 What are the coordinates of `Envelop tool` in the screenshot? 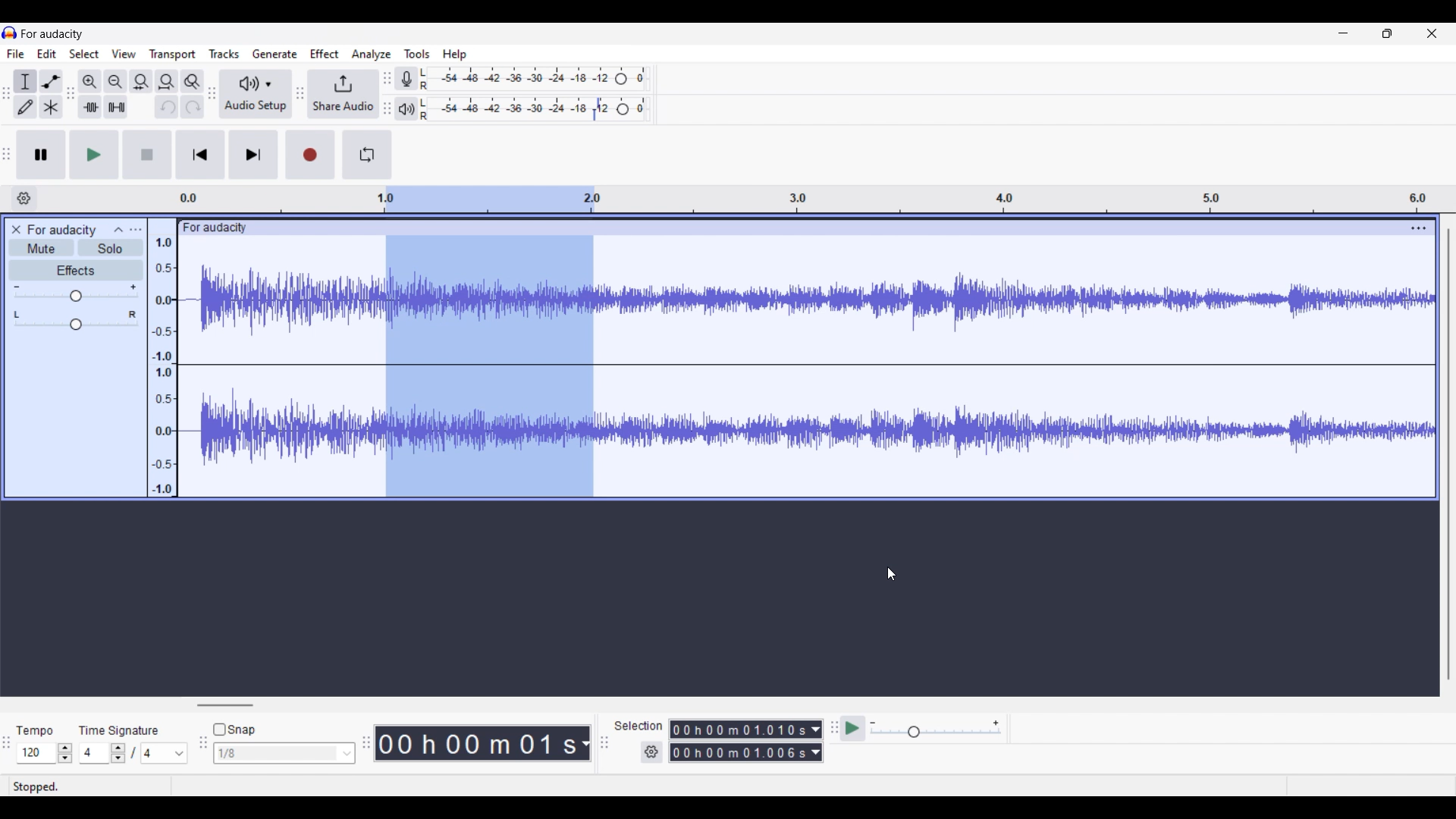 It's located at (52, 82).